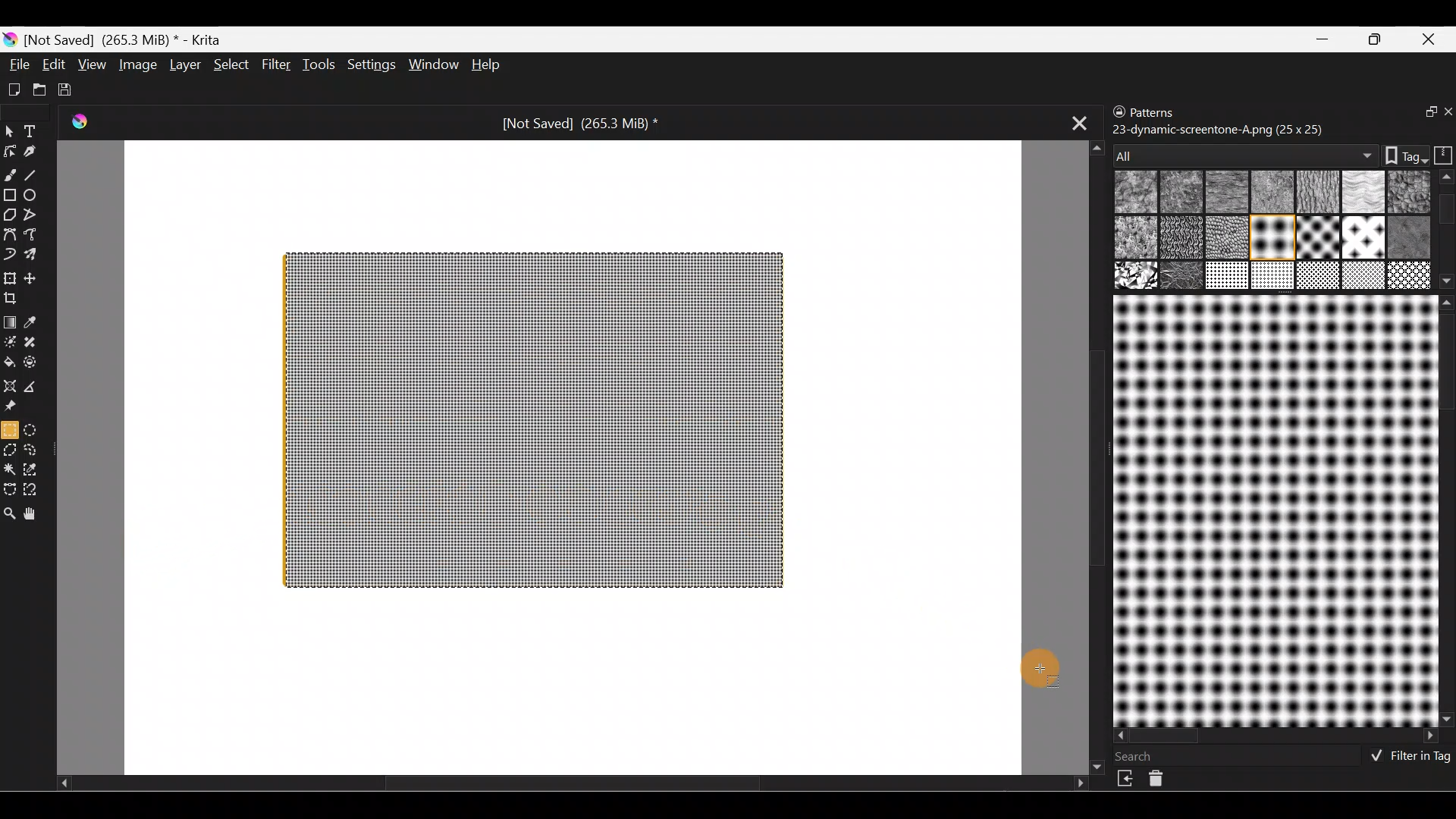  Describe the element at coordinates (1164, 782) in the screenshot. I see `Delete resource` at that location.